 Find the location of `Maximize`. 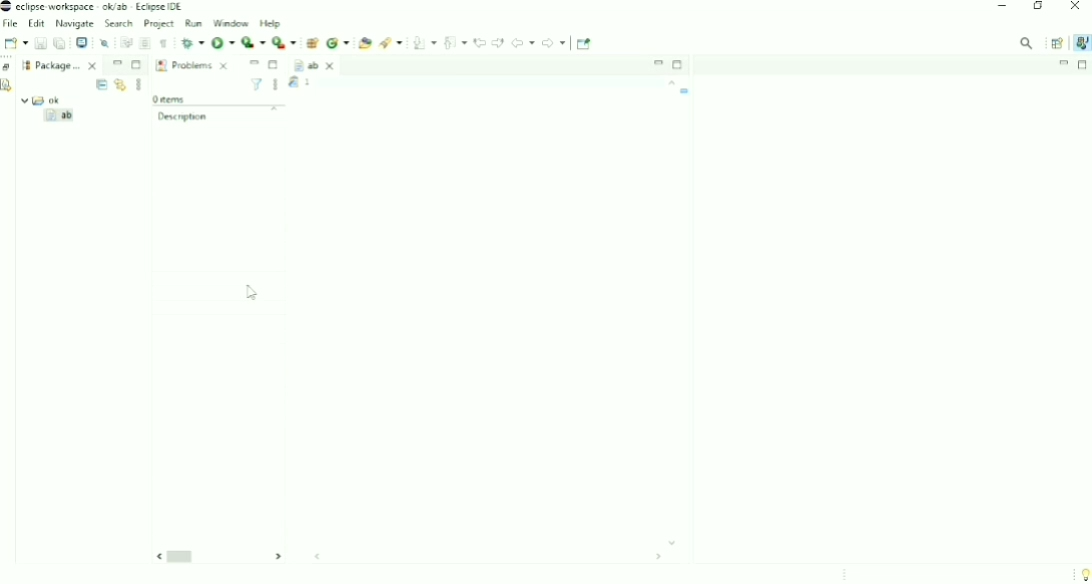

Maximize is located at coordinates (679, 65).